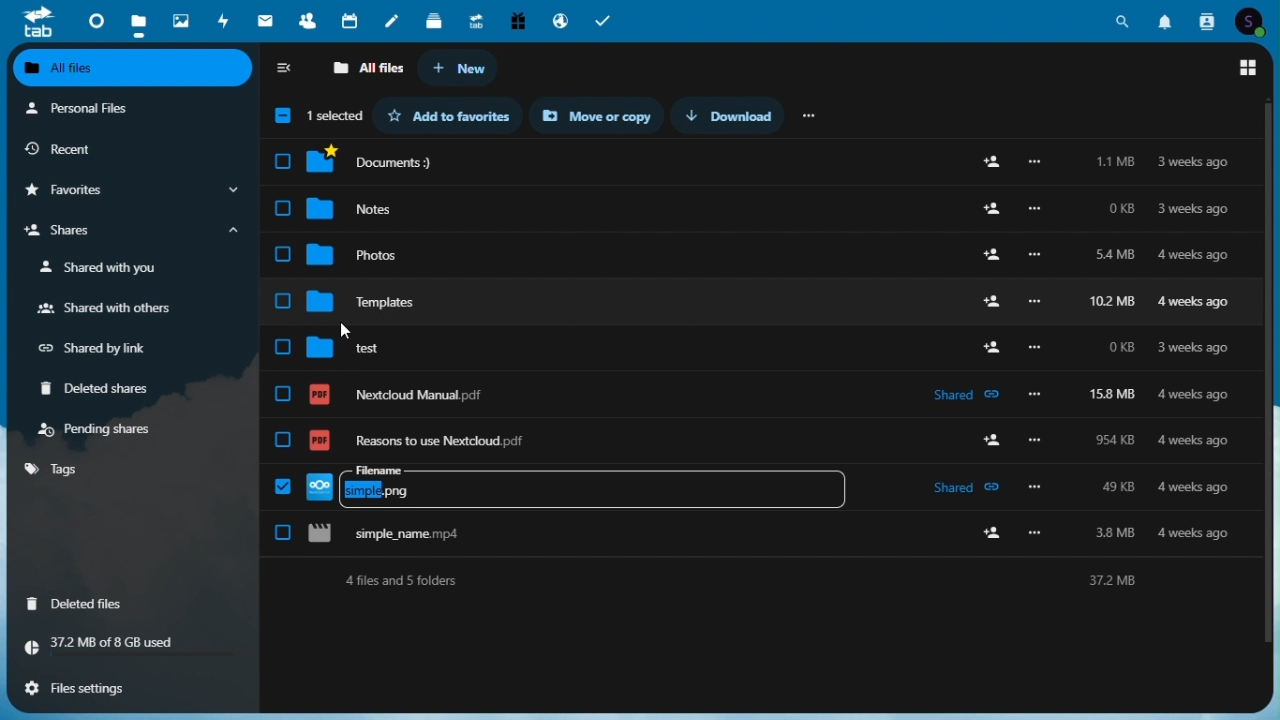 The image size is (1280, 720). Describe the element at coordinates (82, 602) in the screenshot. I see `deleted files` at that location.